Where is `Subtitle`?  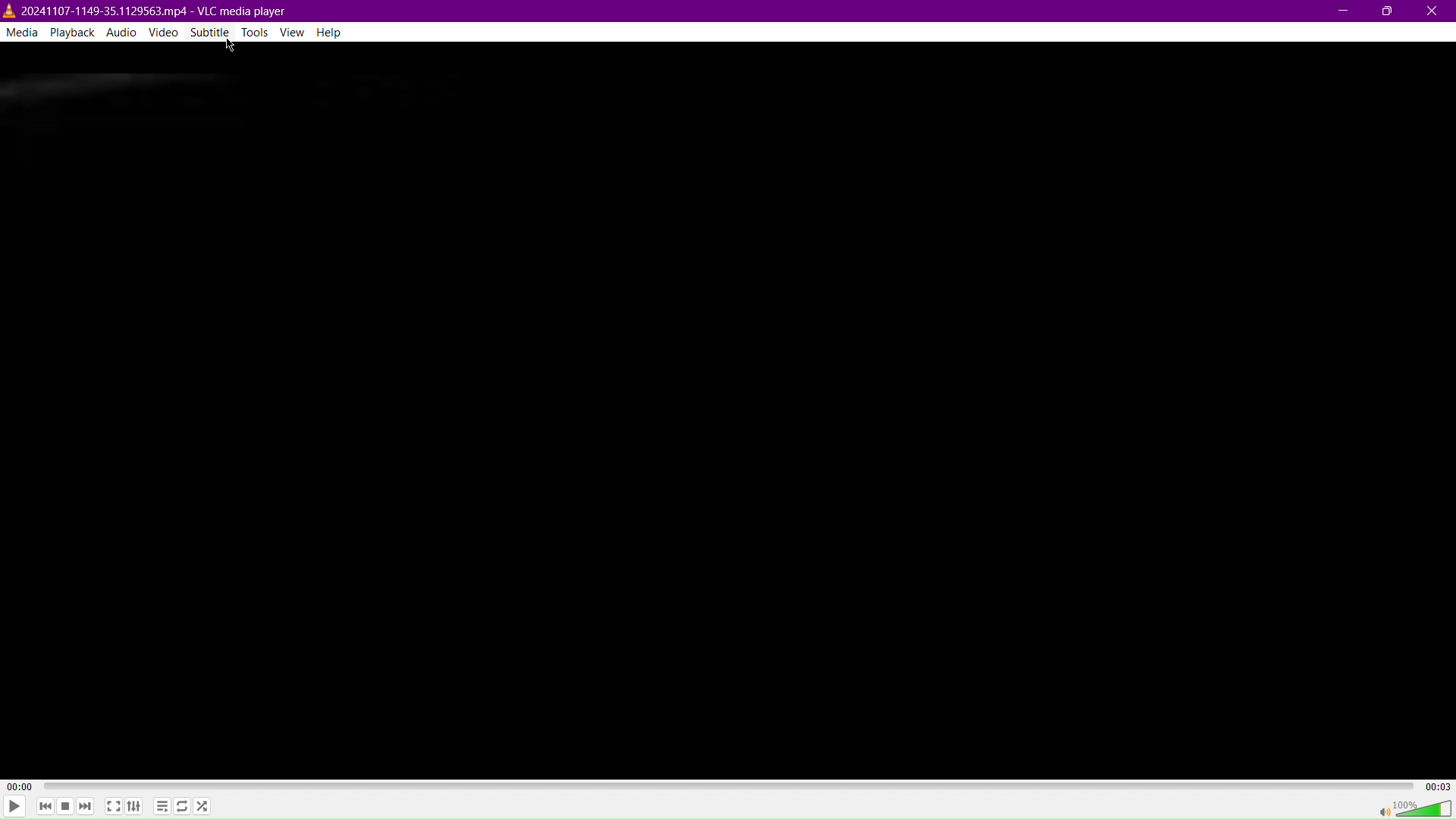 Subtitle is located at coordinates (211, 32).